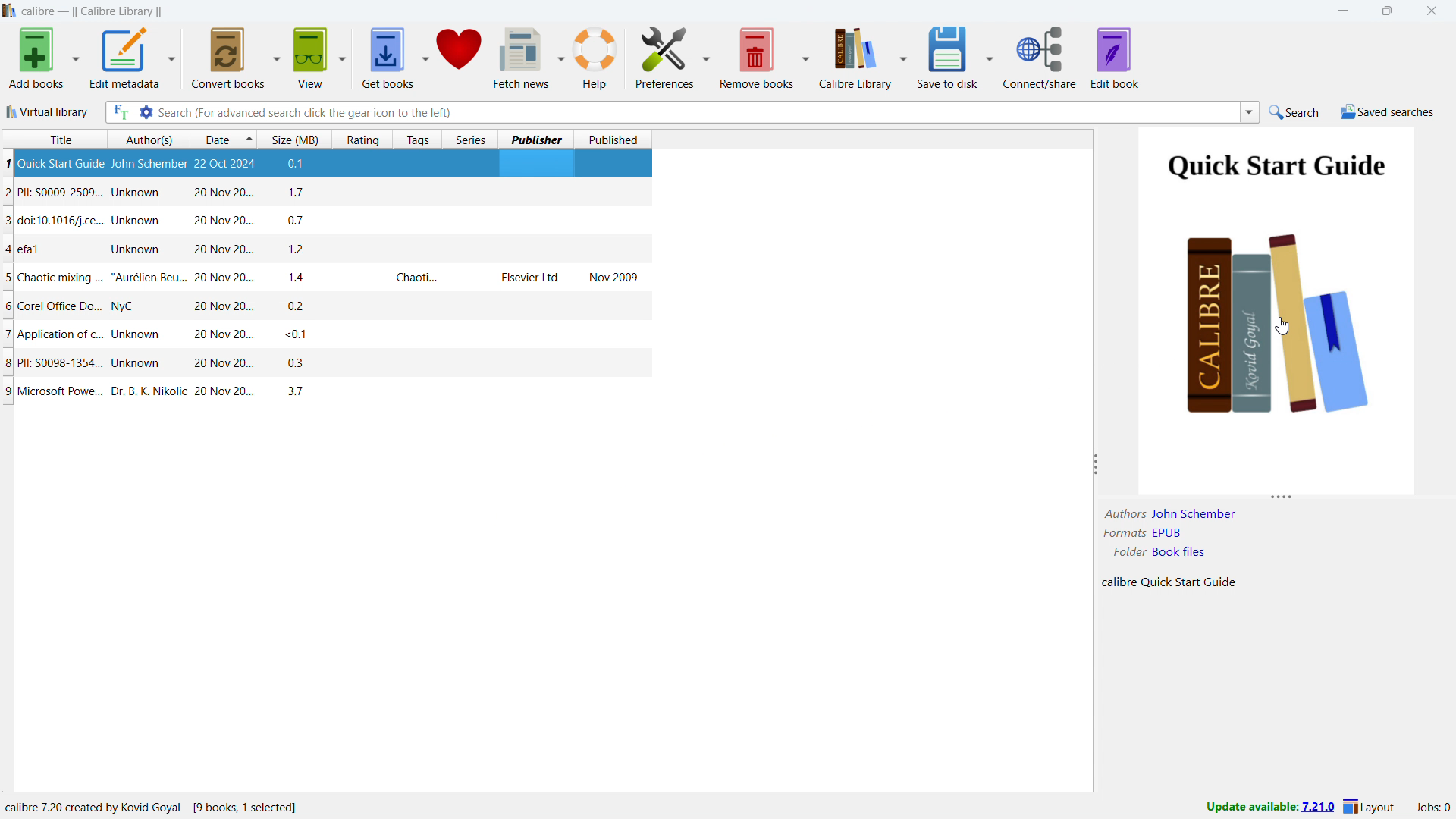  Describe the element at coordinates (1122, 534) in the screenshot. I see `Formats` at that location.